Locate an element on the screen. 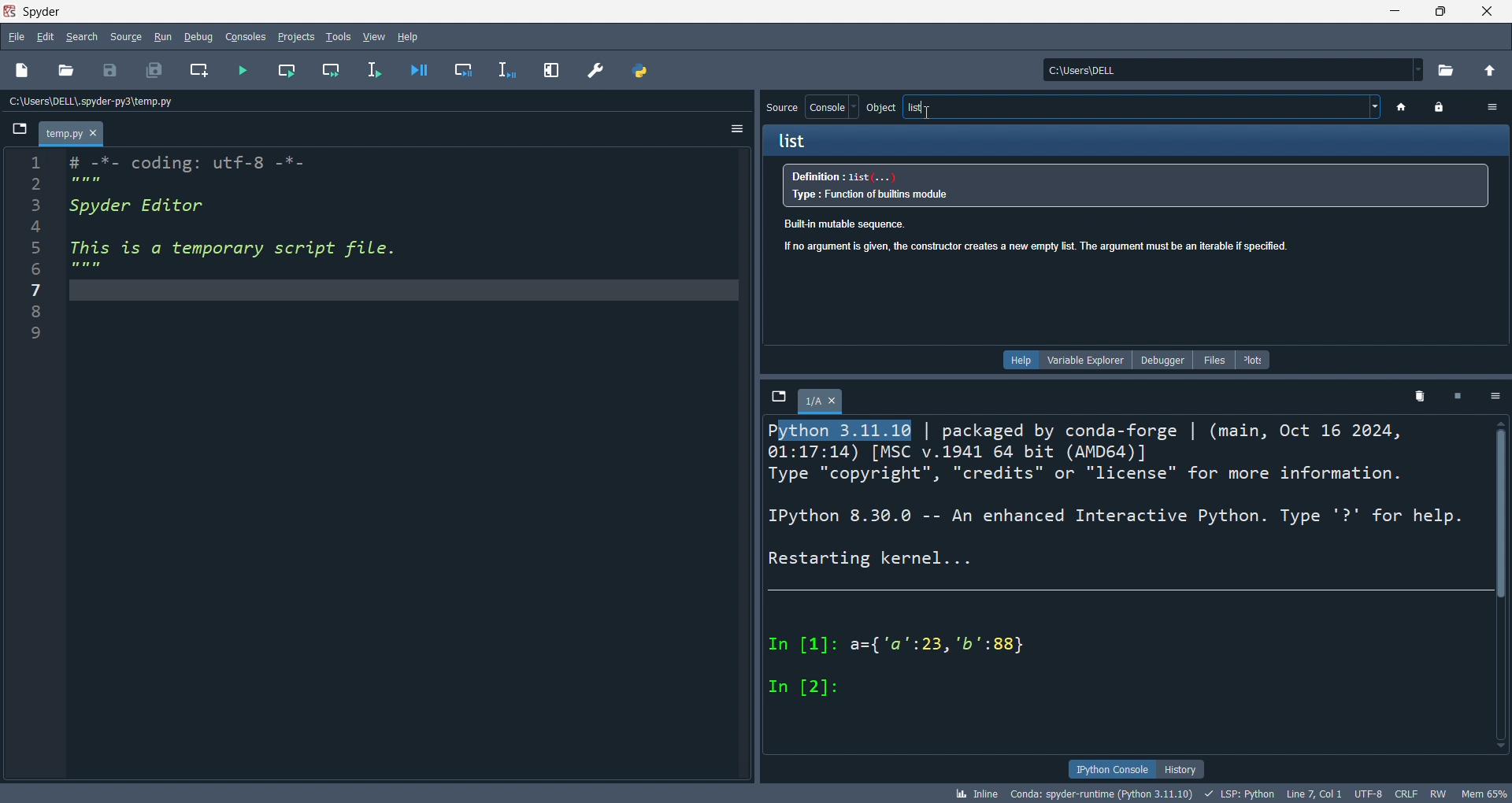 This screenshot has height=803, width=1512. console is located at coordinates (831, 105).